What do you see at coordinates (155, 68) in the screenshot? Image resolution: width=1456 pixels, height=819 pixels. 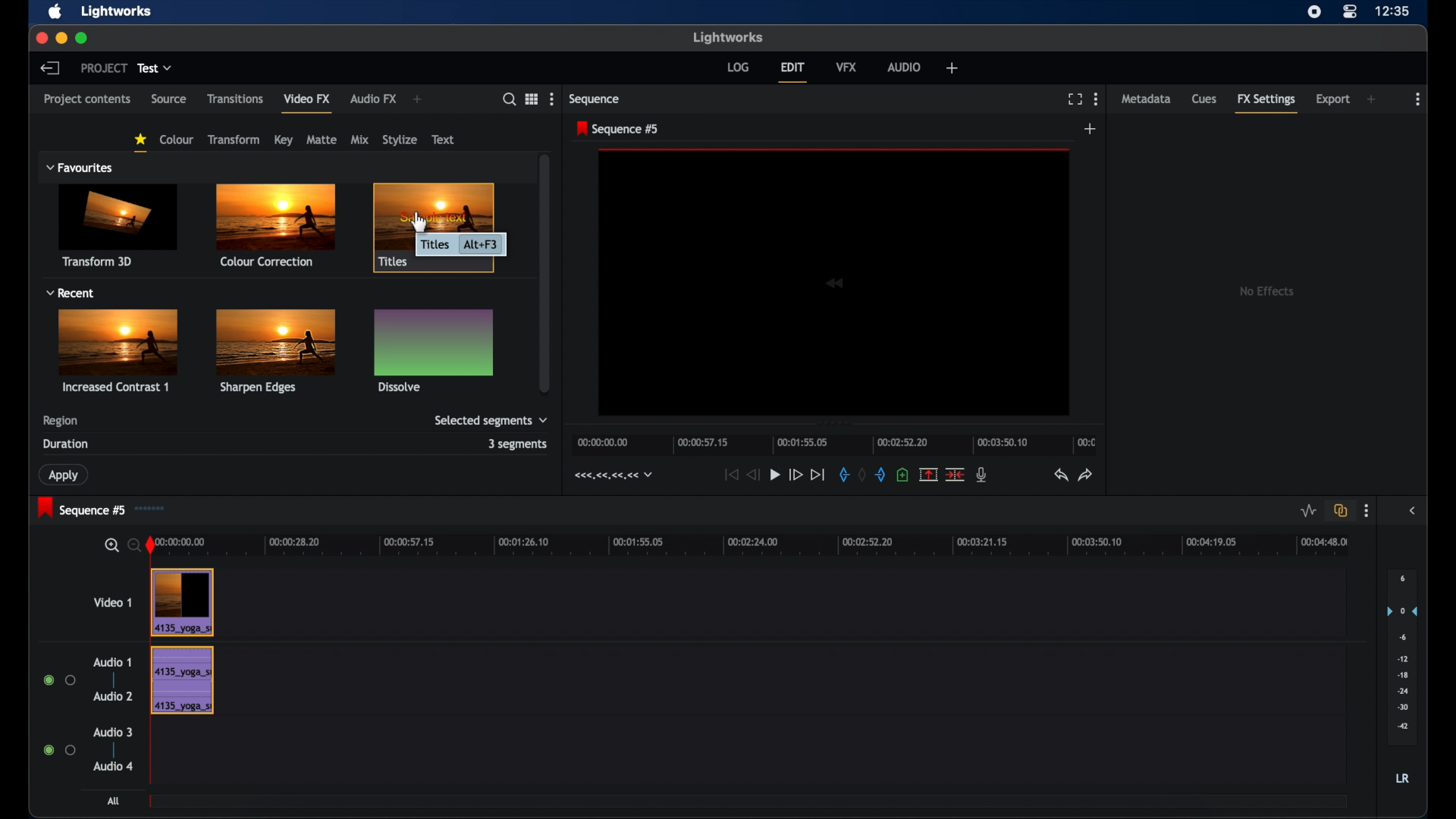 I see `test dropdown` at bounding box center [155, 68].